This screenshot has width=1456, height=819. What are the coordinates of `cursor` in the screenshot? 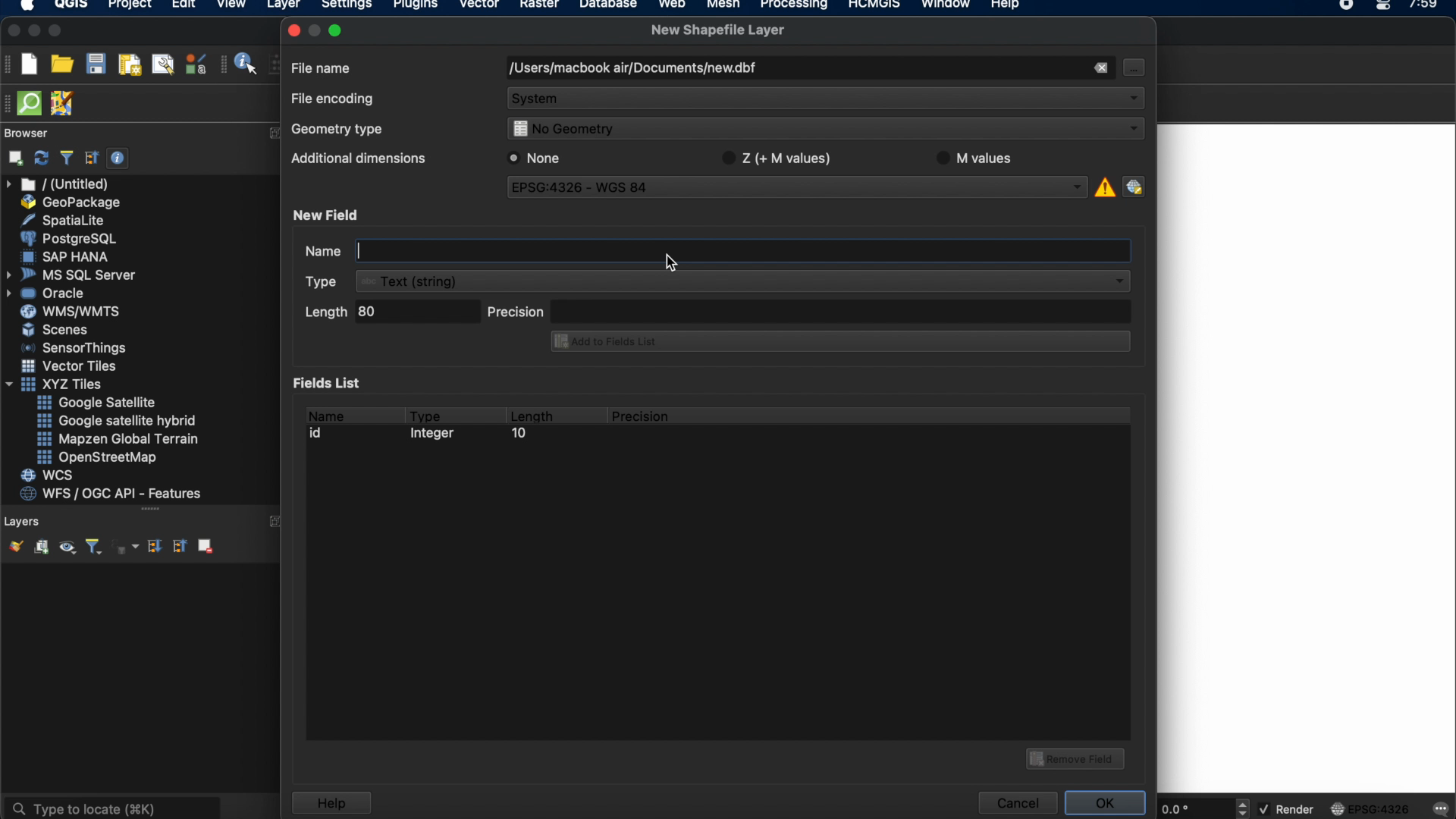 It's located at (1132, 67).